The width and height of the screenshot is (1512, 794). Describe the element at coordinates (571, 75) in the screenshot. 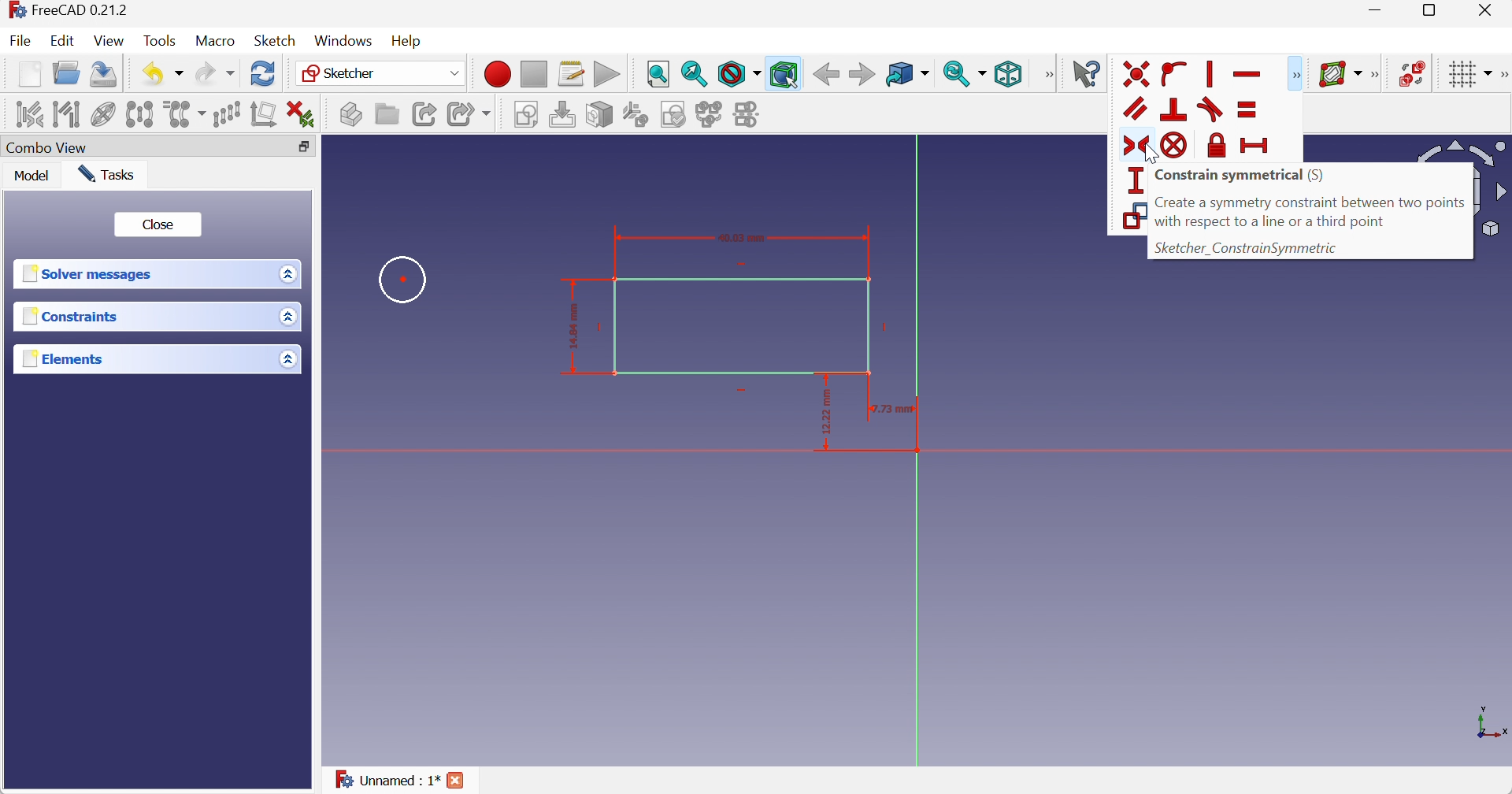

I see `Macros...` at that location.